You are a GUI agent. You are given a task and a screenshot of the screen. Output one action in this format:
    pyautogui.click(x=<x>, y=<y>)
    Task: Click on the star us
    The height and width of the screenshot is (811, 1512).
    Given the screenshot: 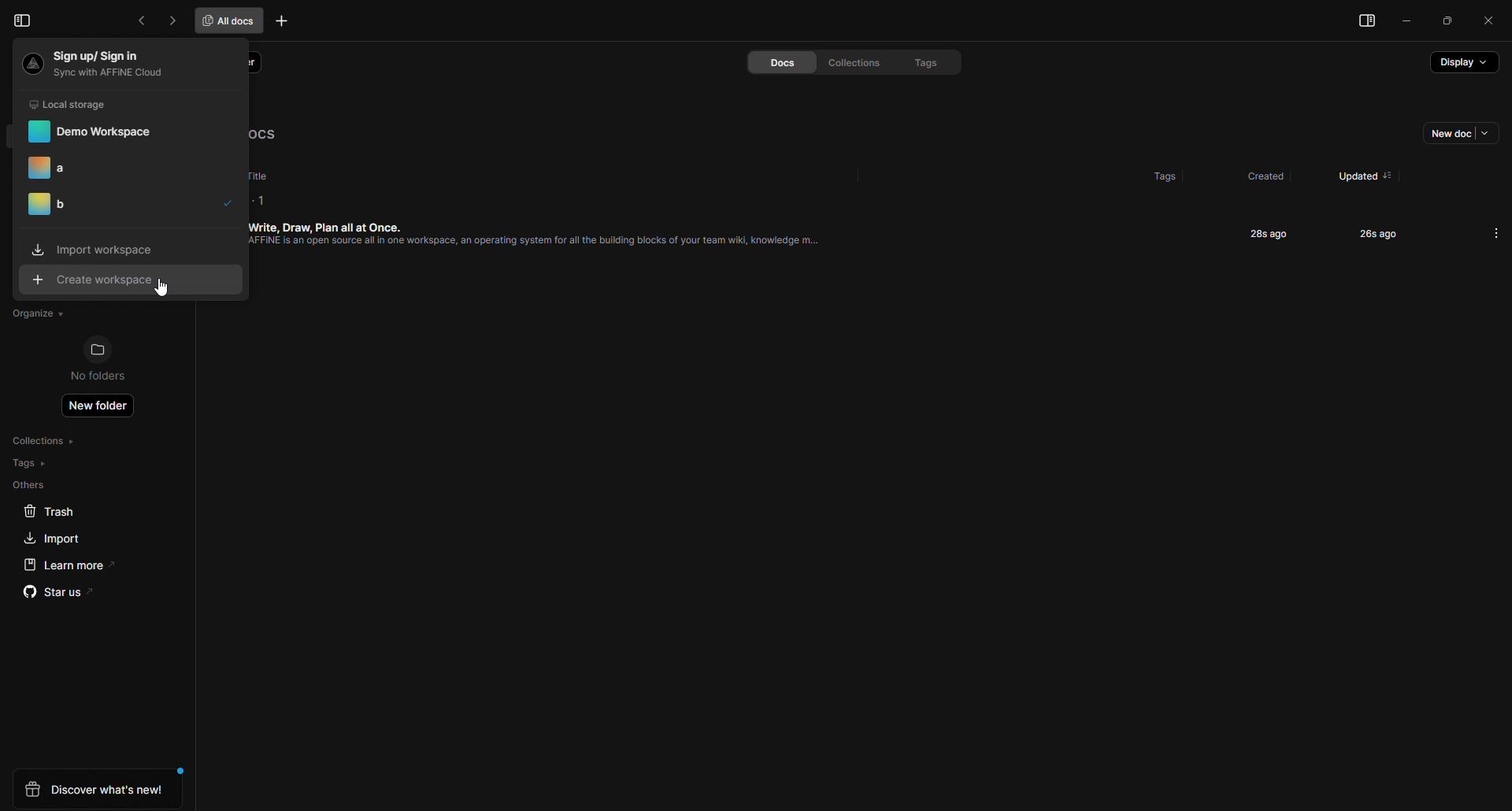 What is the action you would take?
    pyautogui.click(x=57, y=594)
    